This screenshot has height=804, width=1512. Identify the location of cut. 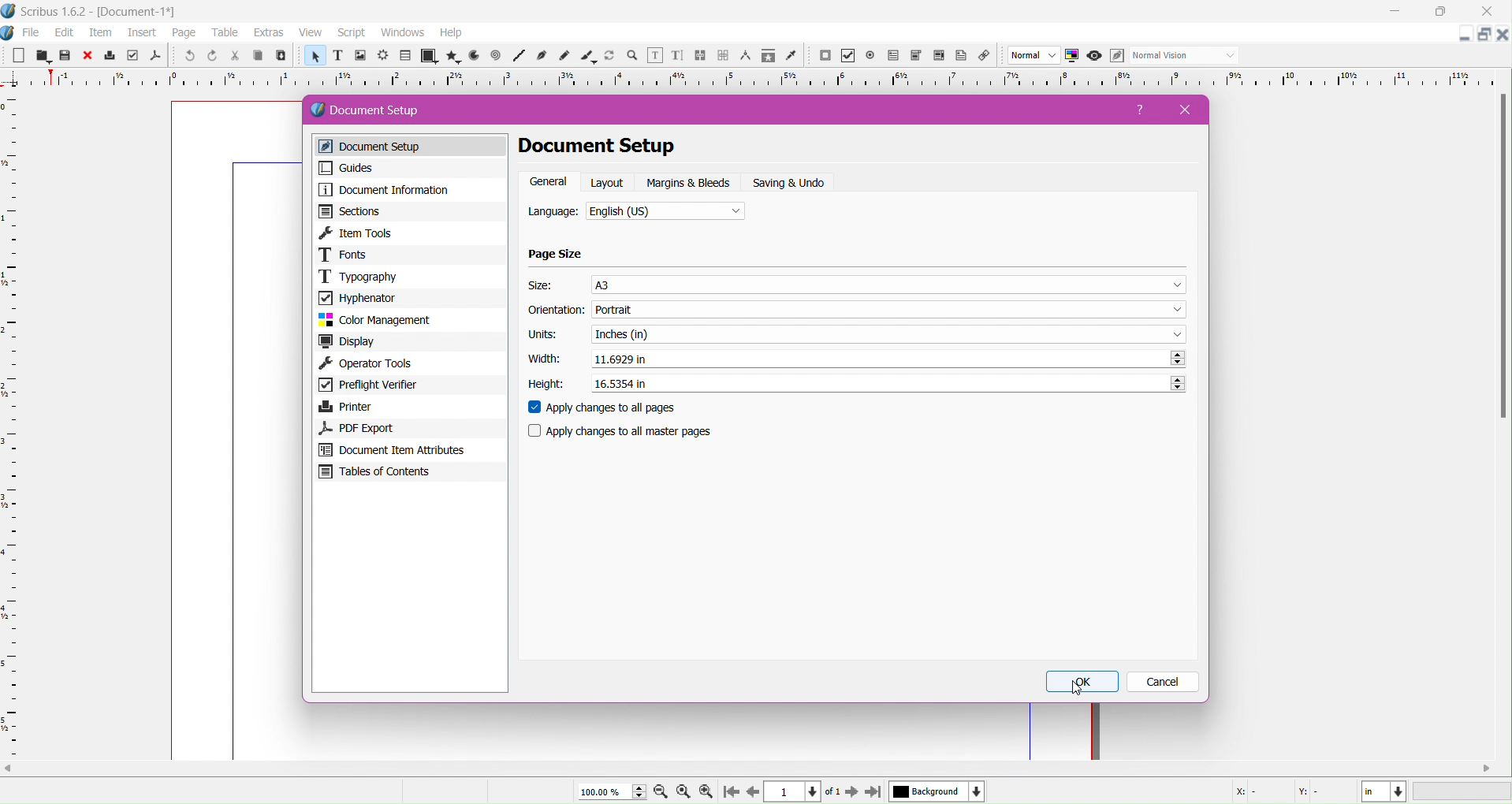
(233, 57).